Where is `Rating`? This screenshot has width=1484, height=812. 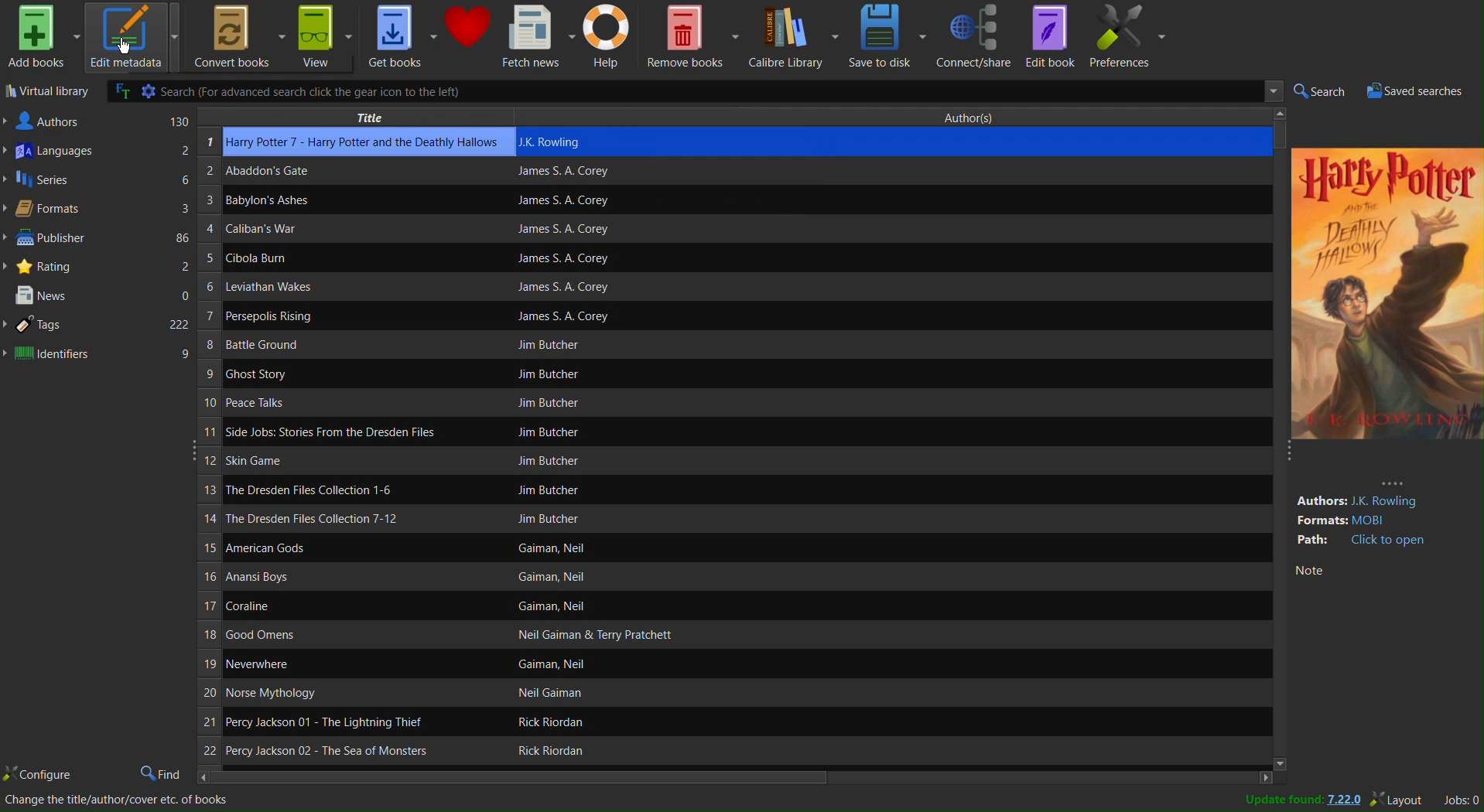 Rating is located at coordinates (97, 267).